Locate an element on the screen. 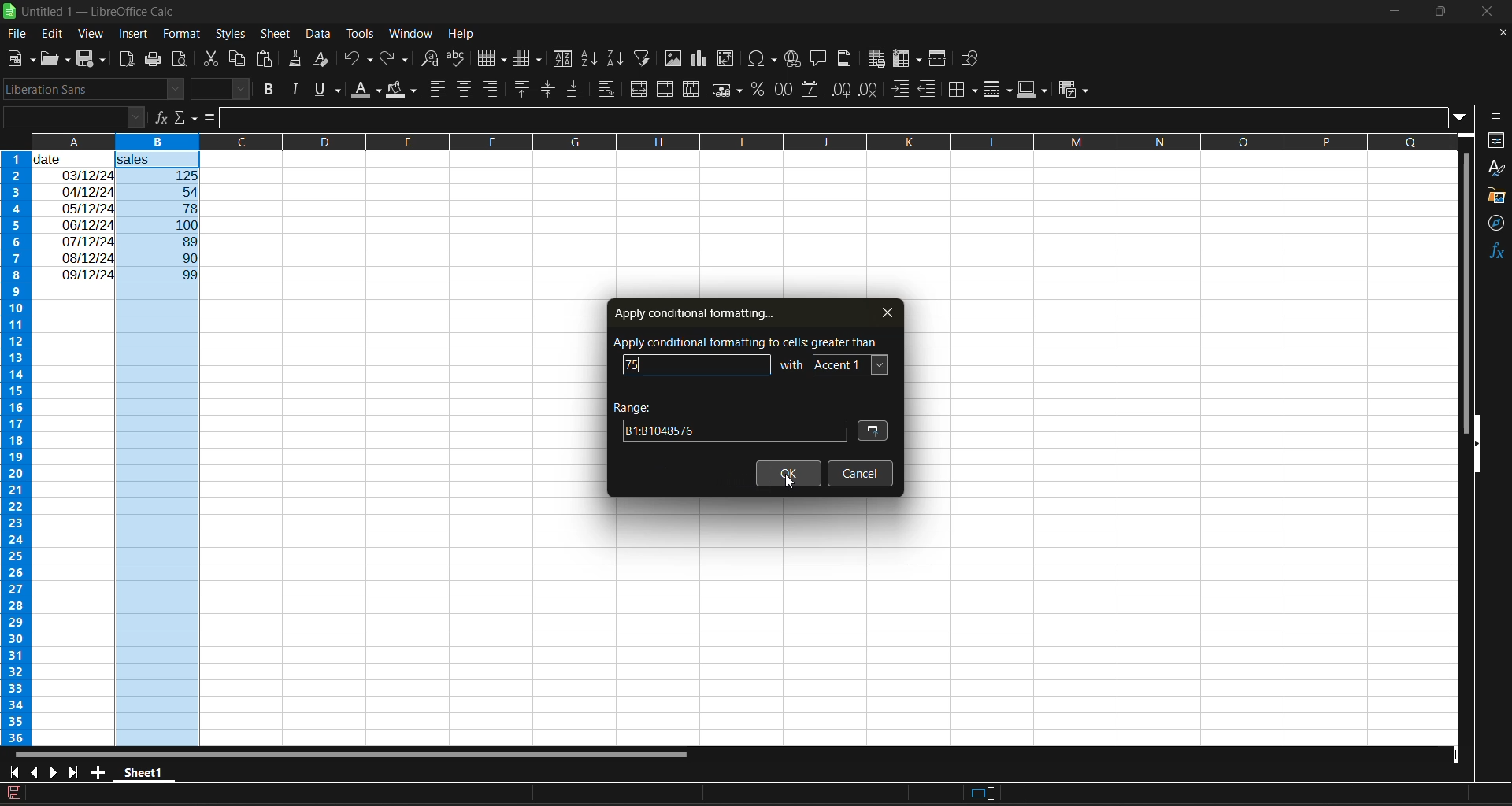  help is located at coordinates (461, 33).